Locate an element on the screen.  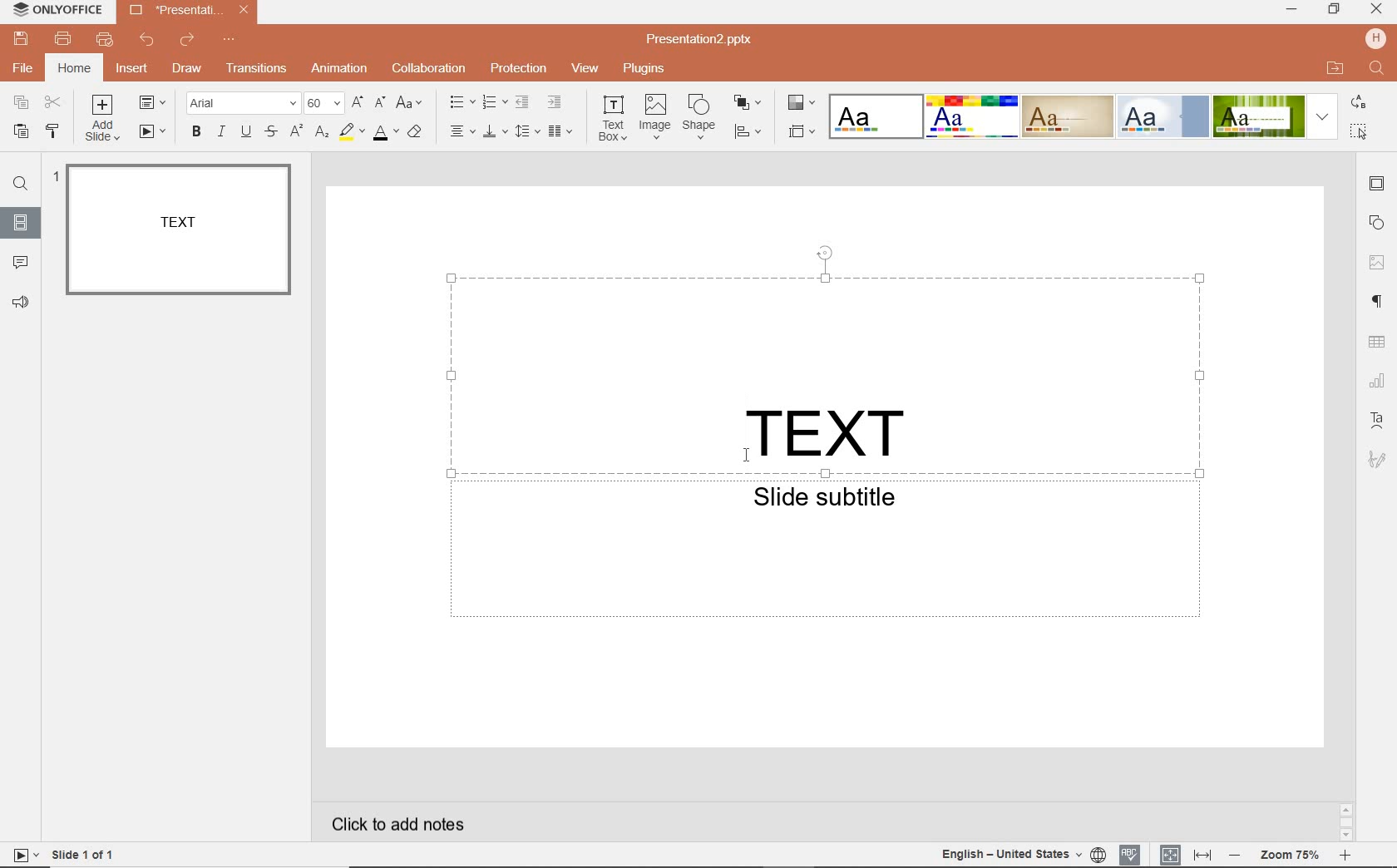
cursor is located at coordinates (744, 460).